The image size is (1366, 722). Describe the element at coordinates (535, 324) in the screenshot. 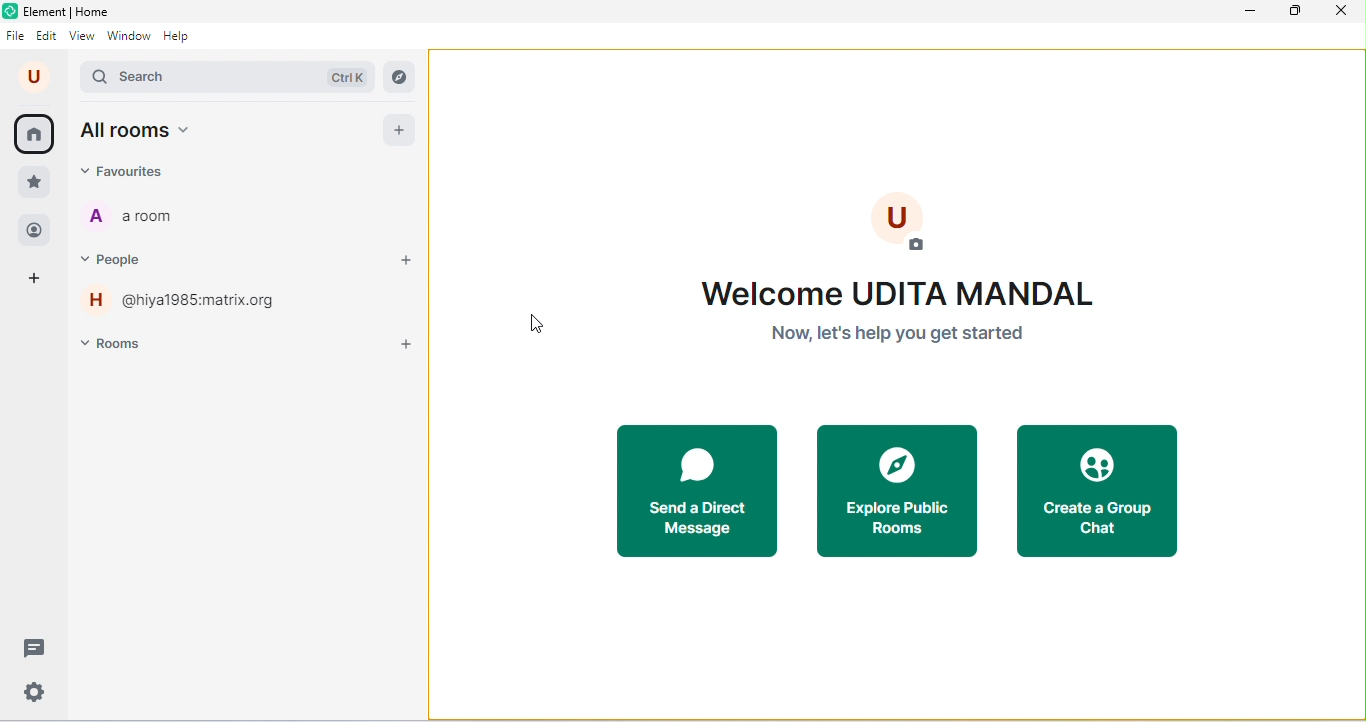

I see `cursor` at that location.